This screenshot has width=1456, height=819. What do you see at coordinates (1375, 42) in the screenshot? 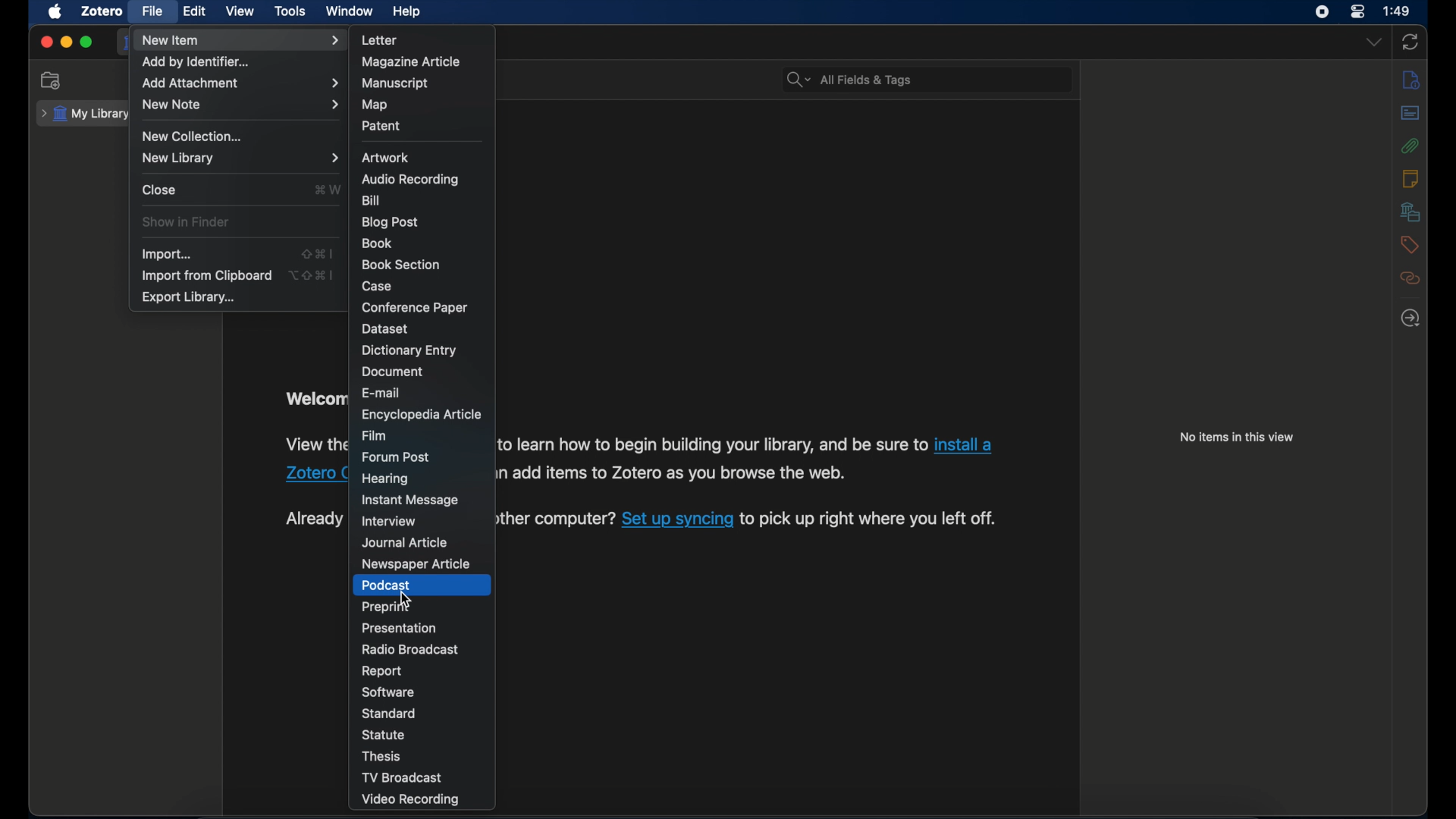
I see `dropdown` at bounding box center [1375, 42].